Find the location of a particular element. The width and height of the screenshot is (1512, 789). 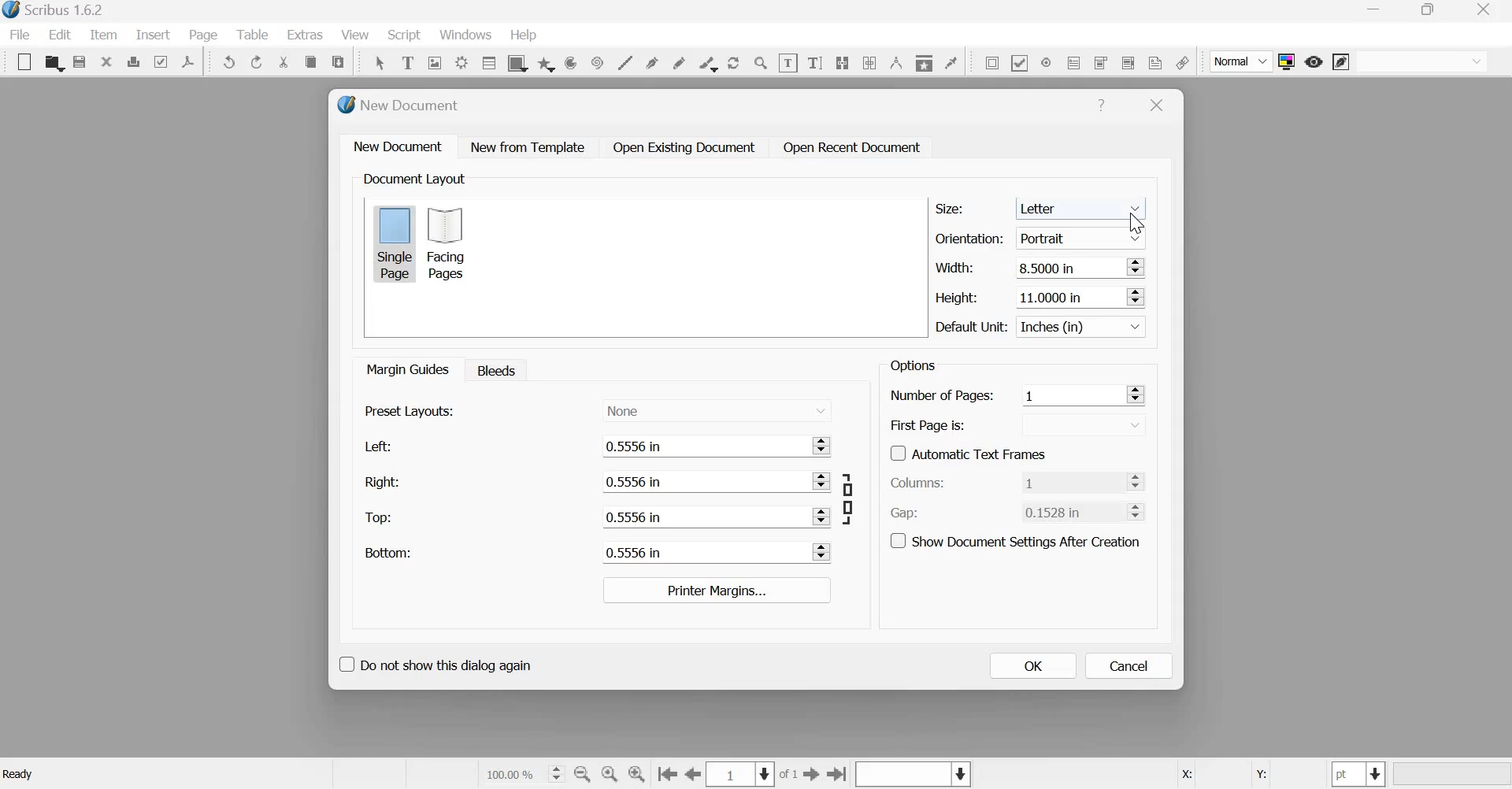

Increase and Decrease is located at coordinates (823, 481).